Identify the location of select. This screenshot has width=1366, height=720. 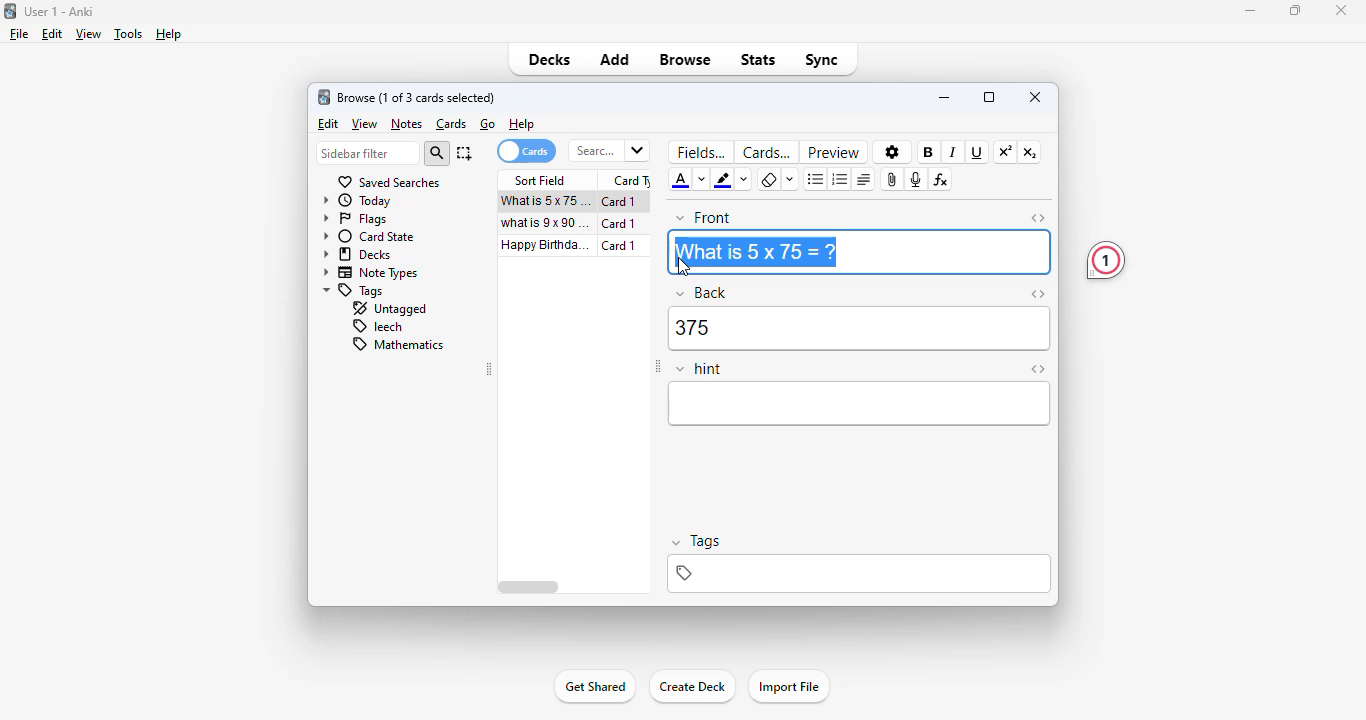
(464, 153).